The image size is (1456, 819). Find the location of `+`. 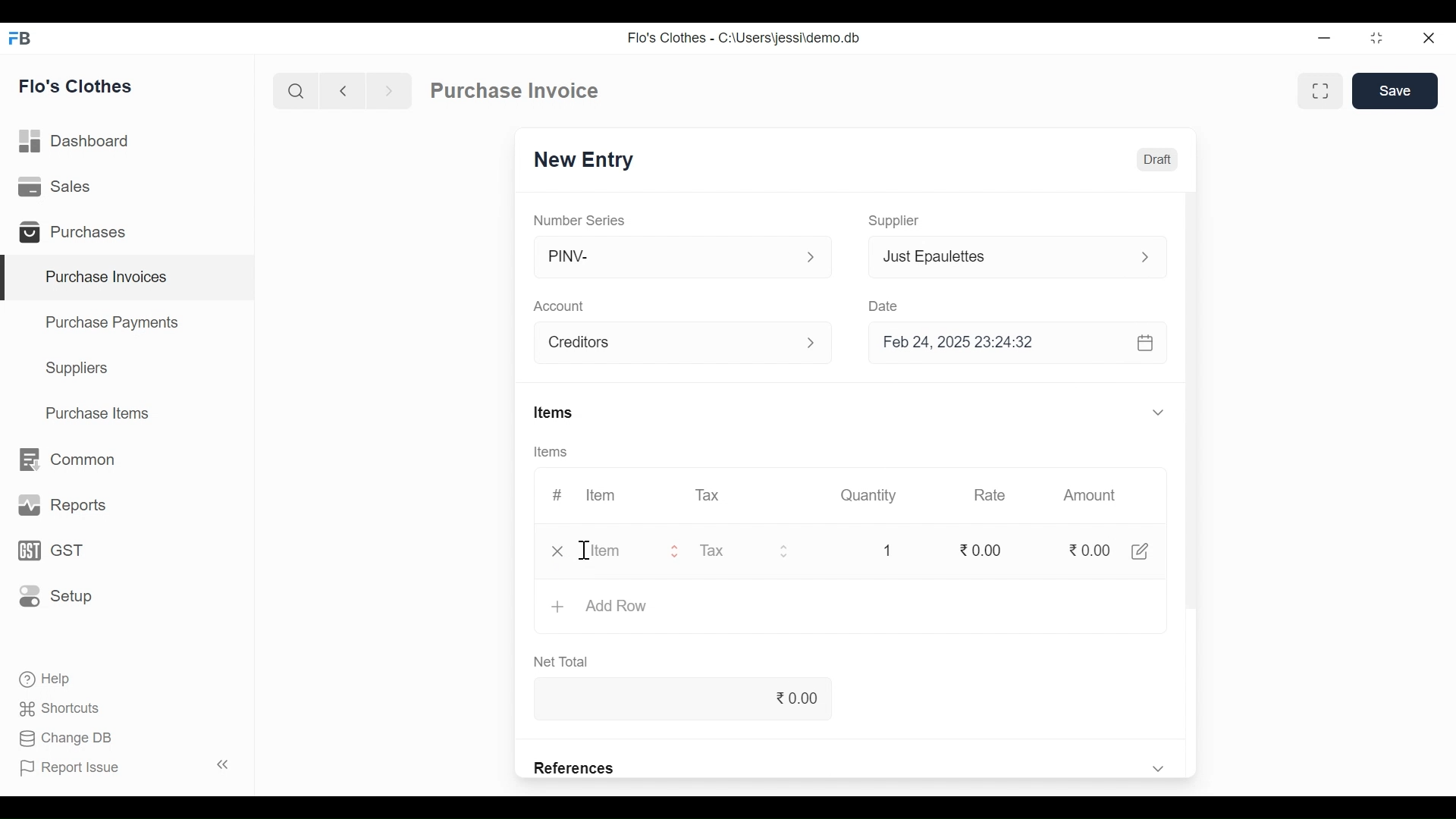

+ is located at coordinates (557, 608).